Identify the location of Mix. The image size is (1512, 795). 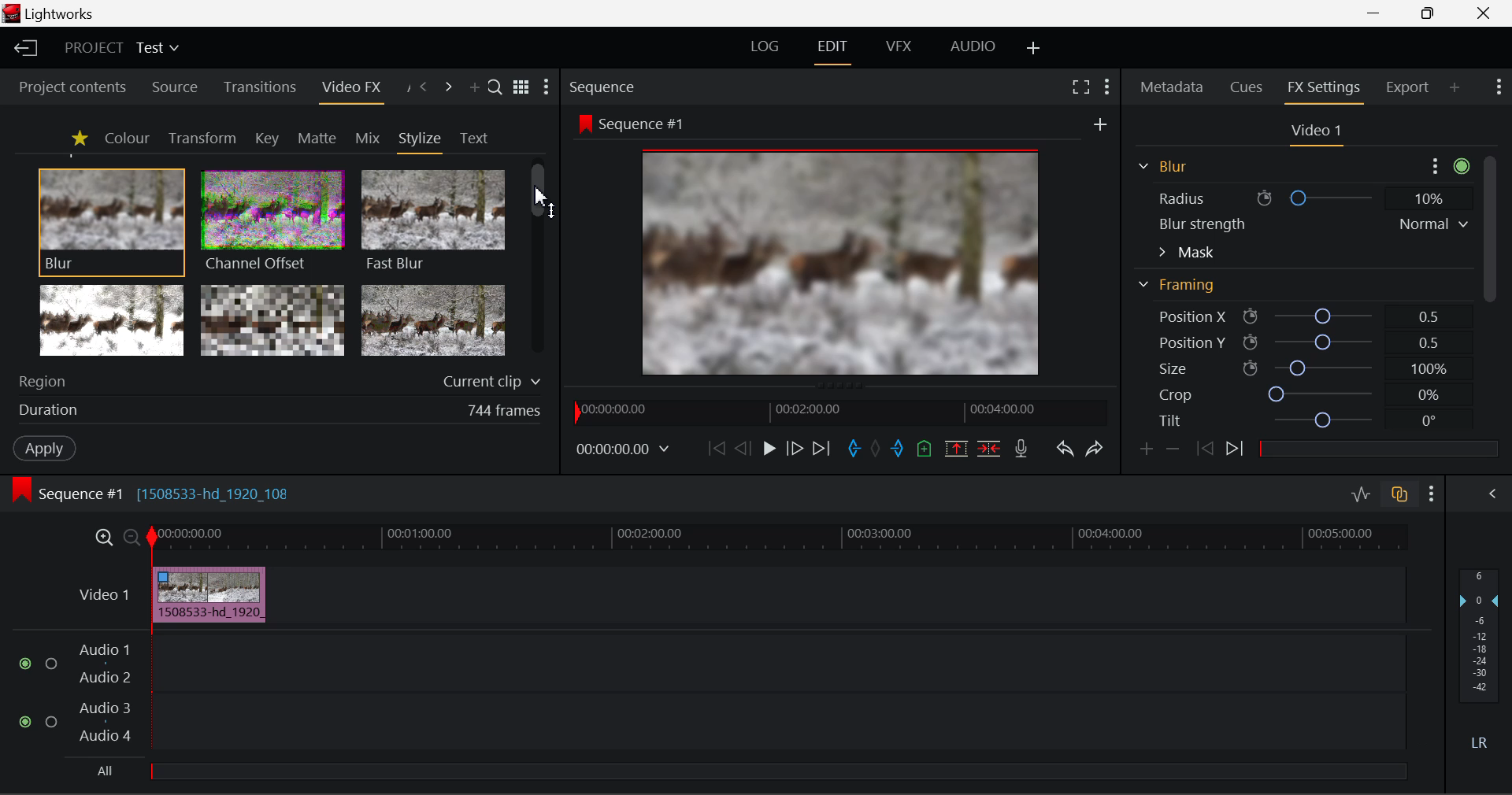
(367, 137).